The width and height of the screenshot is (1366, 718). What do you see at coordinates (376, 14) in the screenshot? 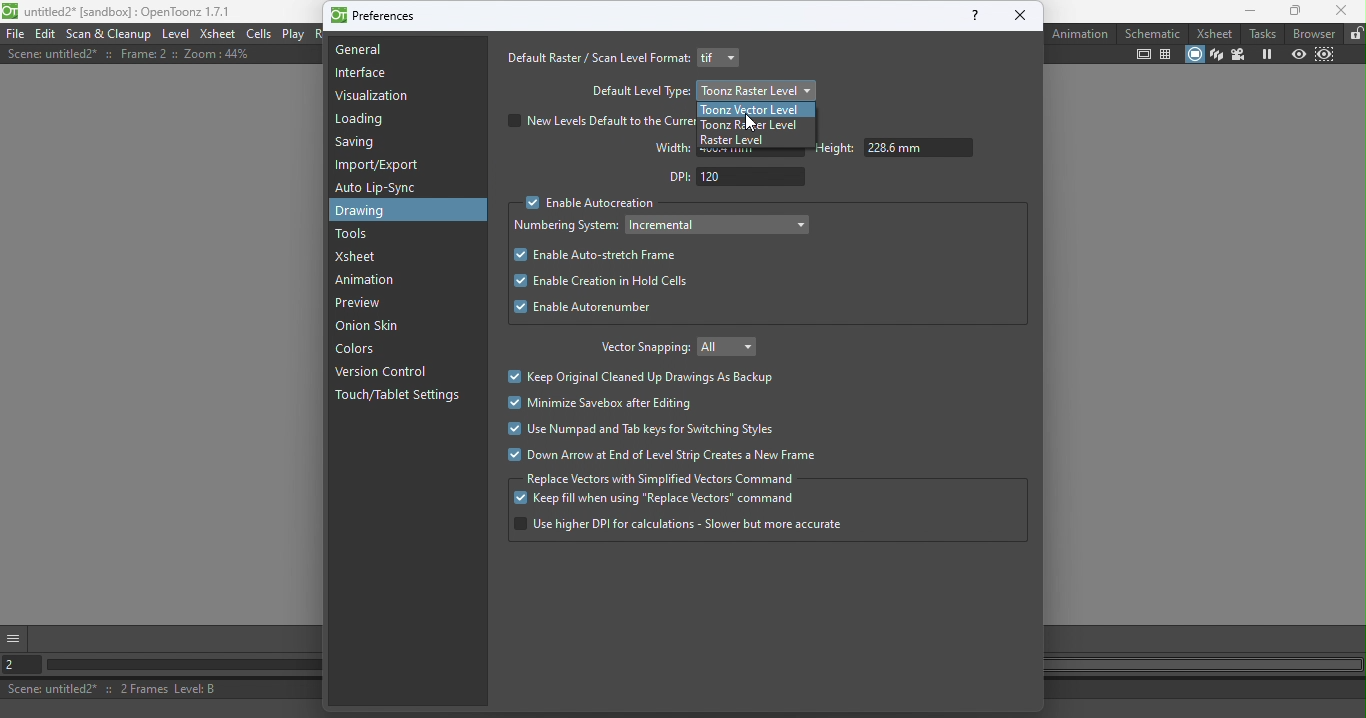
I see `Preferences` at bounding box center [376, 14].